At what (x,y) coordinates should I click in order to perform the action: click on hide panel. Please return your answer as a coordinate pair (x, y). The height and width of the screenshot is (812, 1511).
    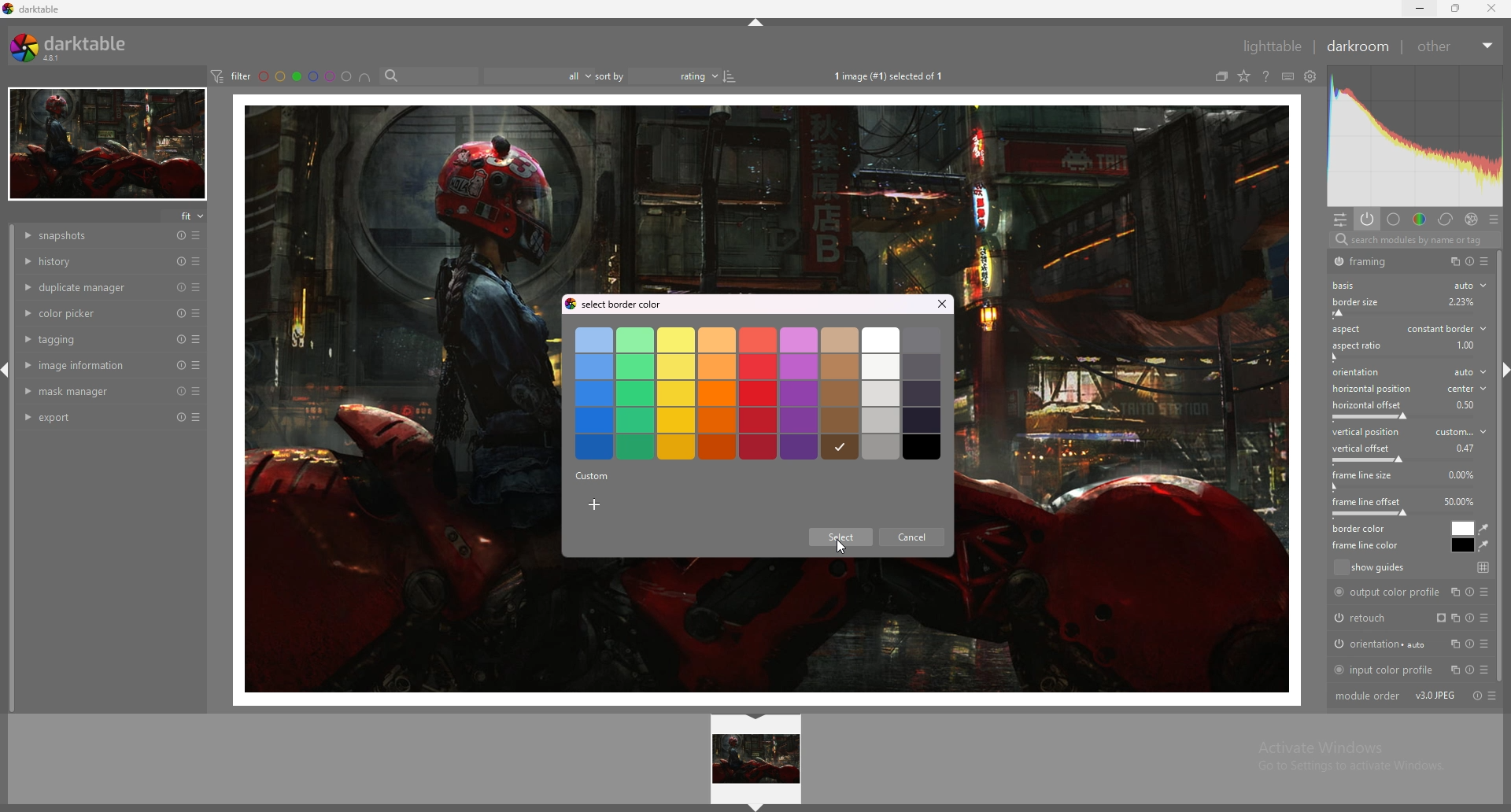
    Looking at the image, I should click on (757, 23).